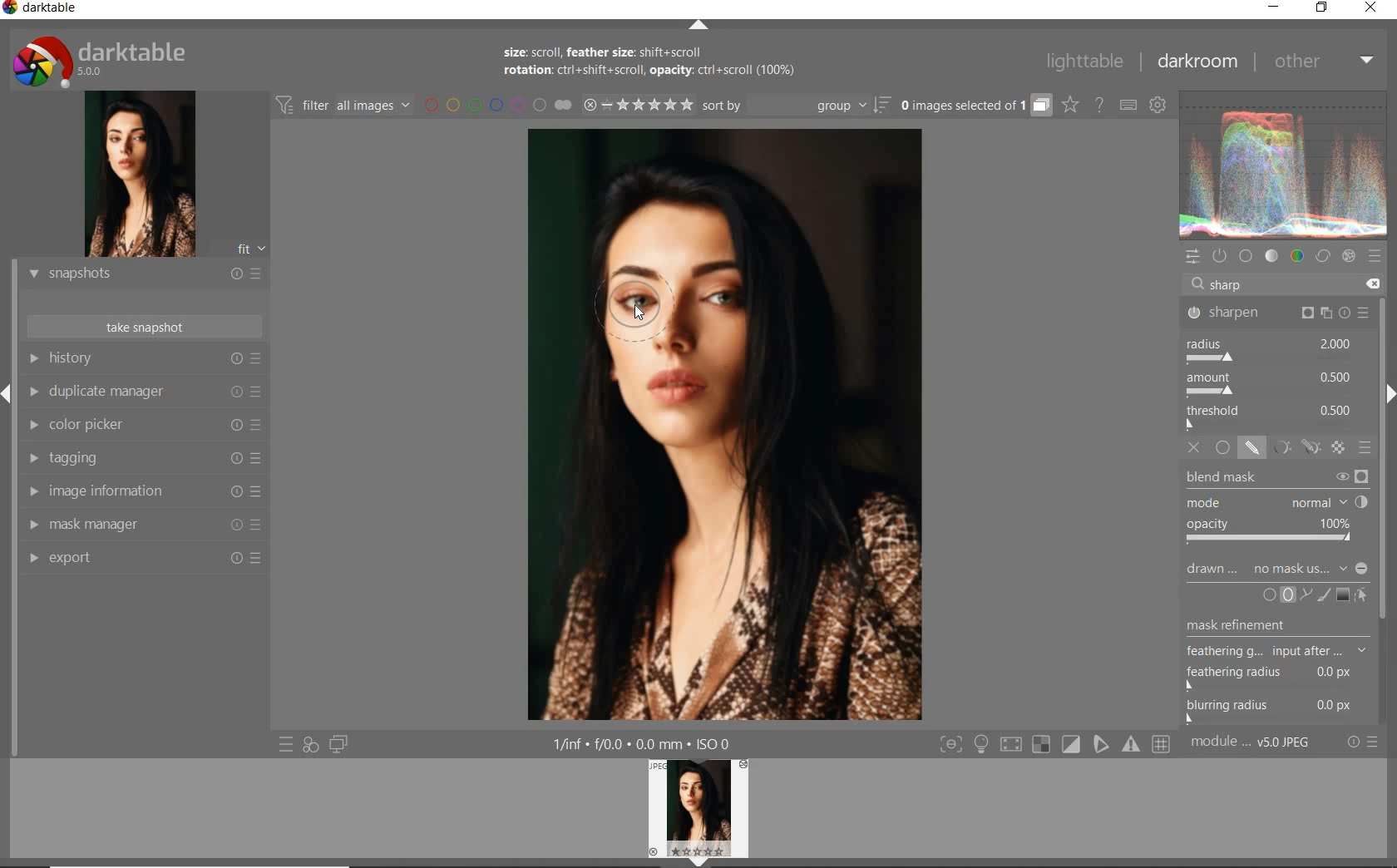 The width and height of the screenshot is (1397, 868). Describe the element at coordinates (1320, 62) in the screenshot. I see `other` at that location.